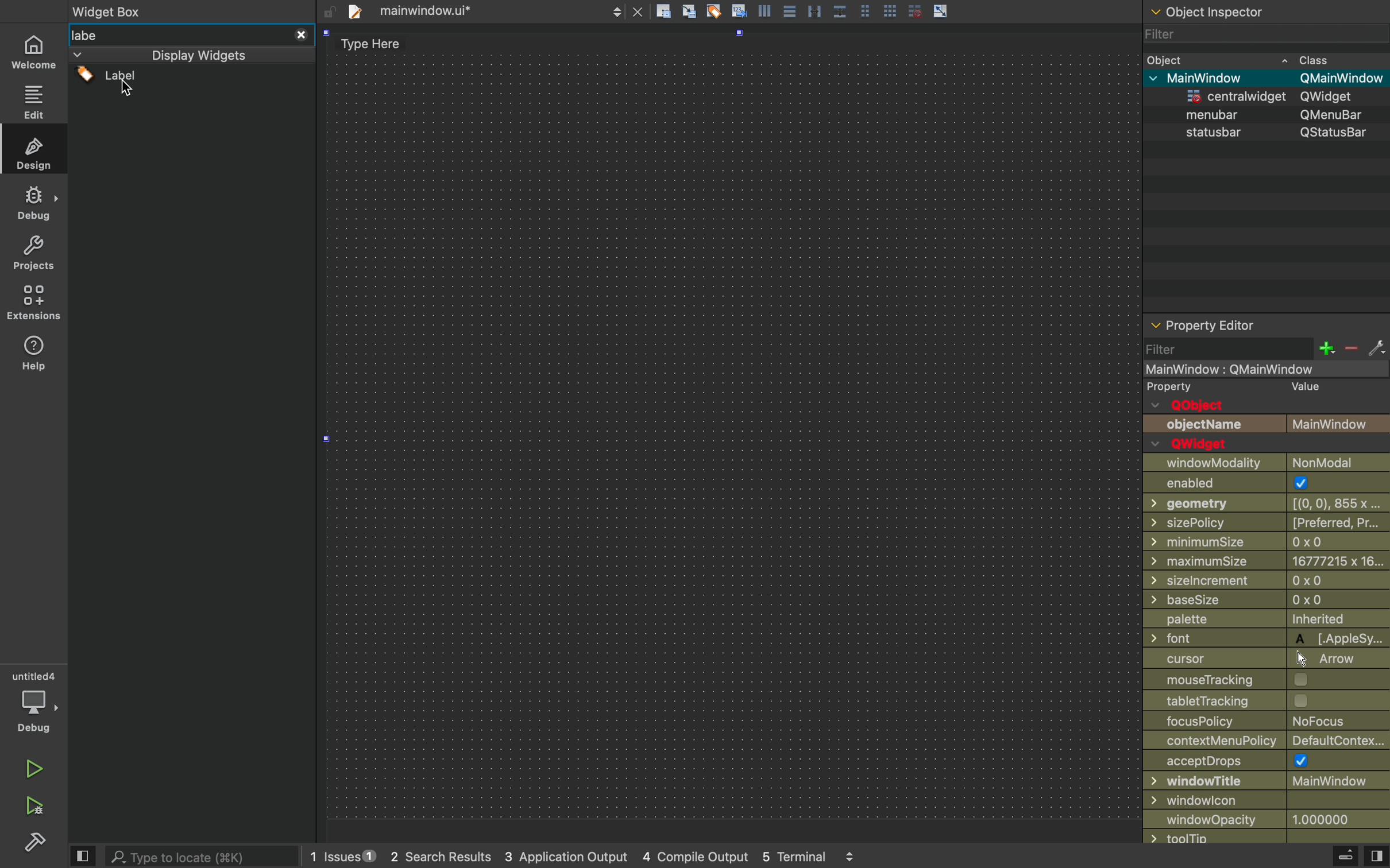 Image resolution: width=1390 pixels, height=868 pixels. Describe the element at coordinates (1276, 115) in the screenshot. I see `menubar` at that location.